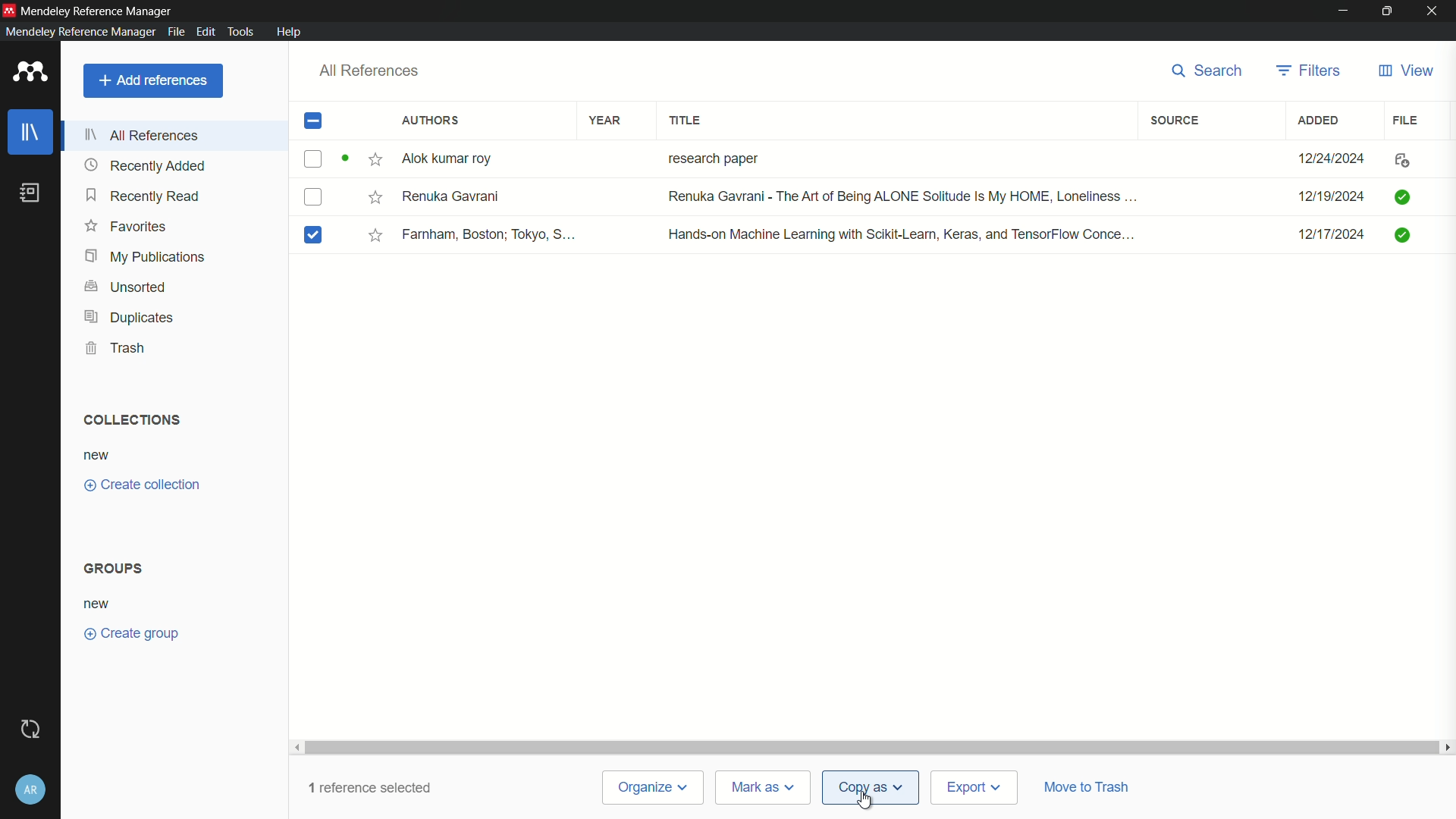  I want to click on cursor, so click(861, 800).